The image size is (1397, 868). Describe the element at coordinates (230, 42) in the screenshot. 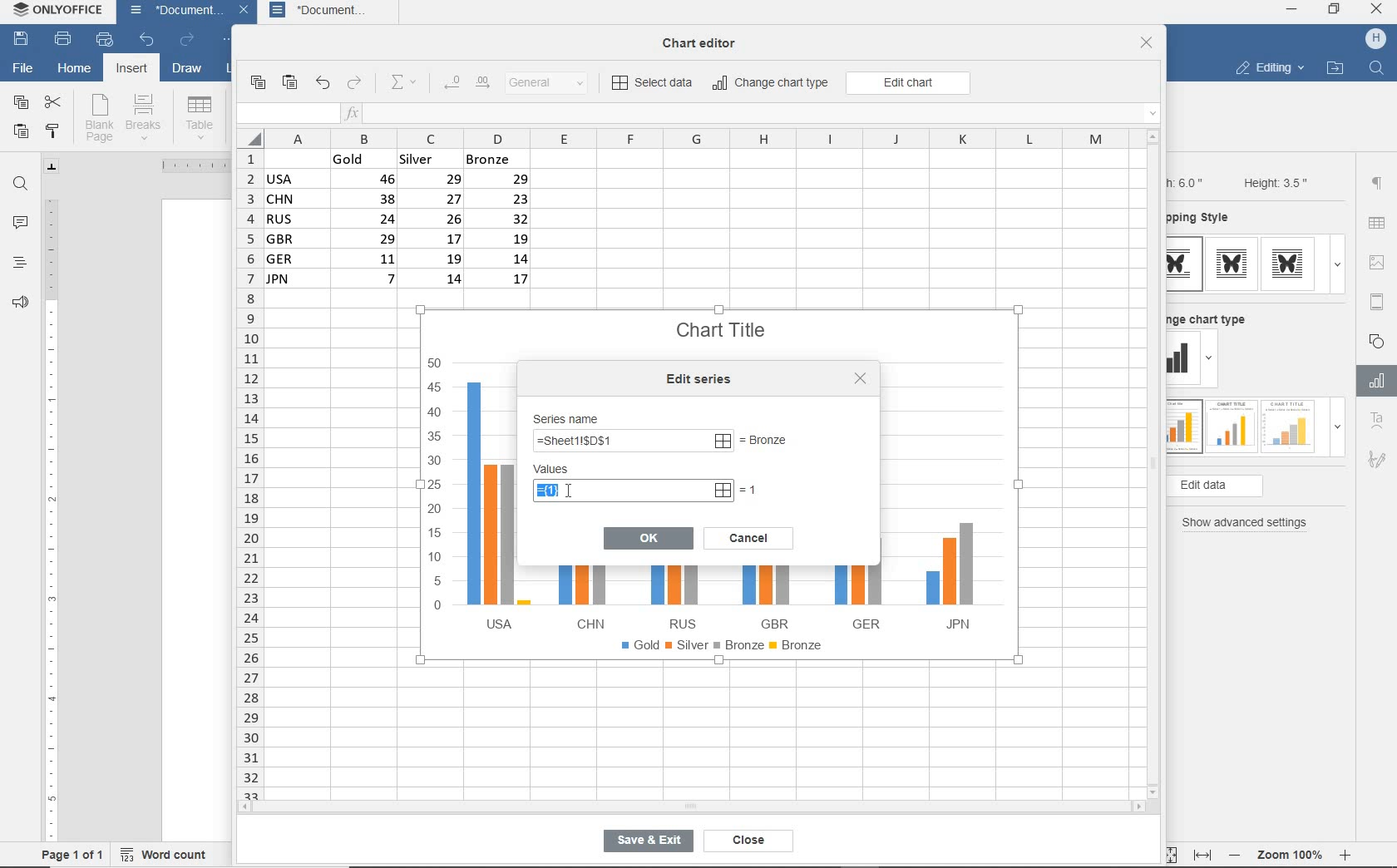

I see `customize quick access toolbar` at that location.